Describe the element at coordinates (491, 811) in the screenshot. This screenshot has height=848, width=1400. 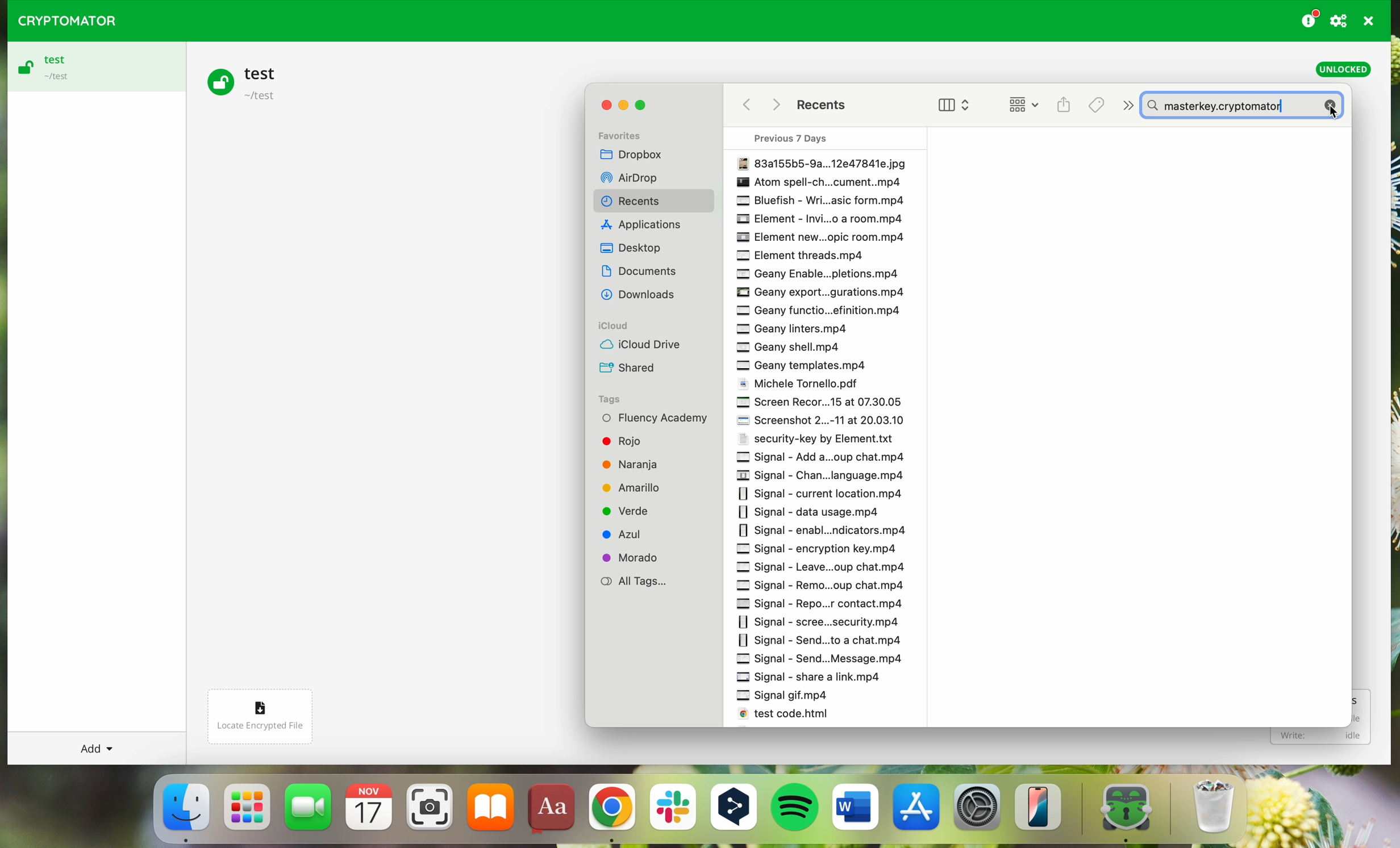
I see `iBooks` at that location.